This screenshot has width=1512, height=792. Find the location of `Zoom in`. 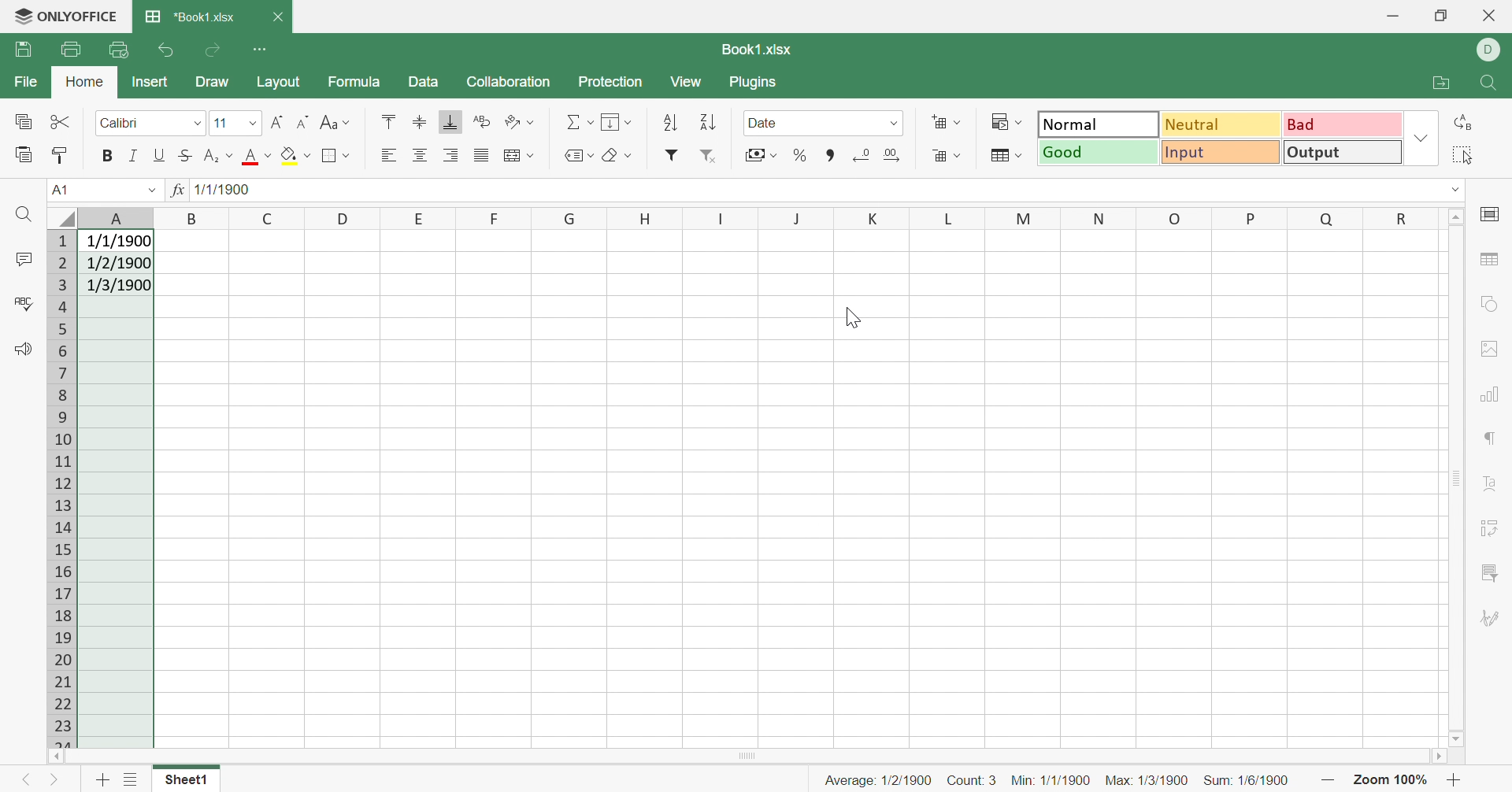

Zoom in is located at coordinates (1456, 779).